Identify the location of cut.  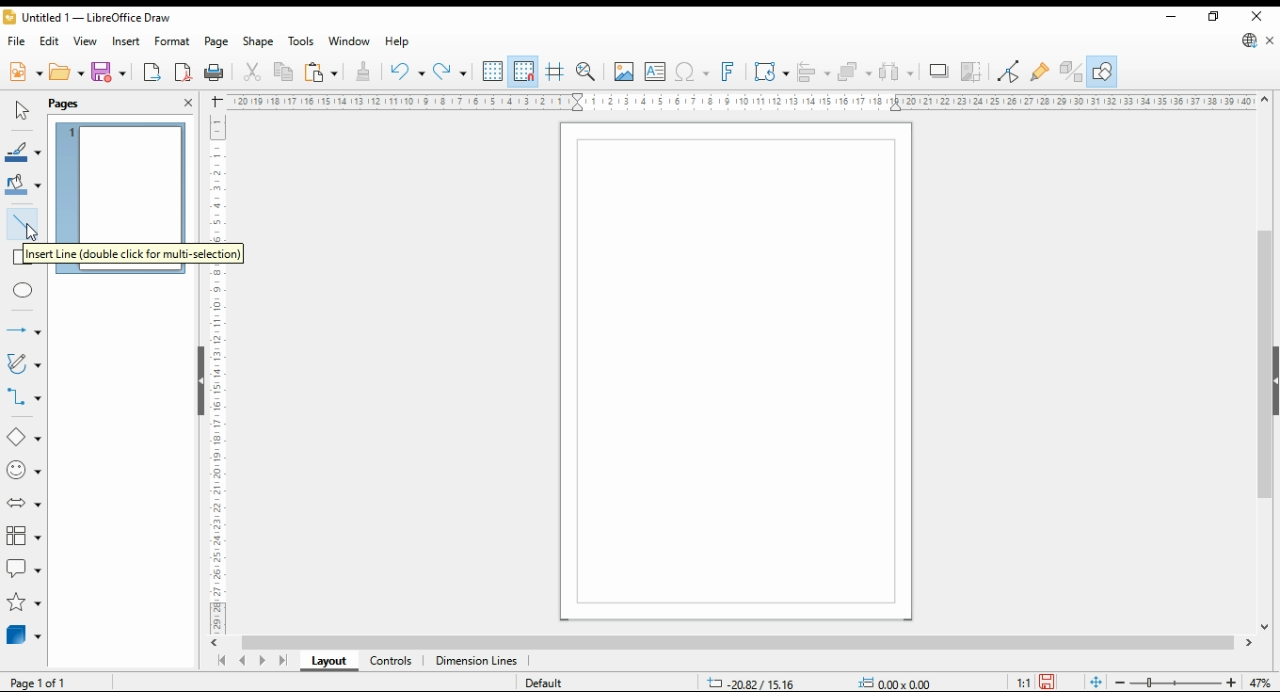
(250, 72).